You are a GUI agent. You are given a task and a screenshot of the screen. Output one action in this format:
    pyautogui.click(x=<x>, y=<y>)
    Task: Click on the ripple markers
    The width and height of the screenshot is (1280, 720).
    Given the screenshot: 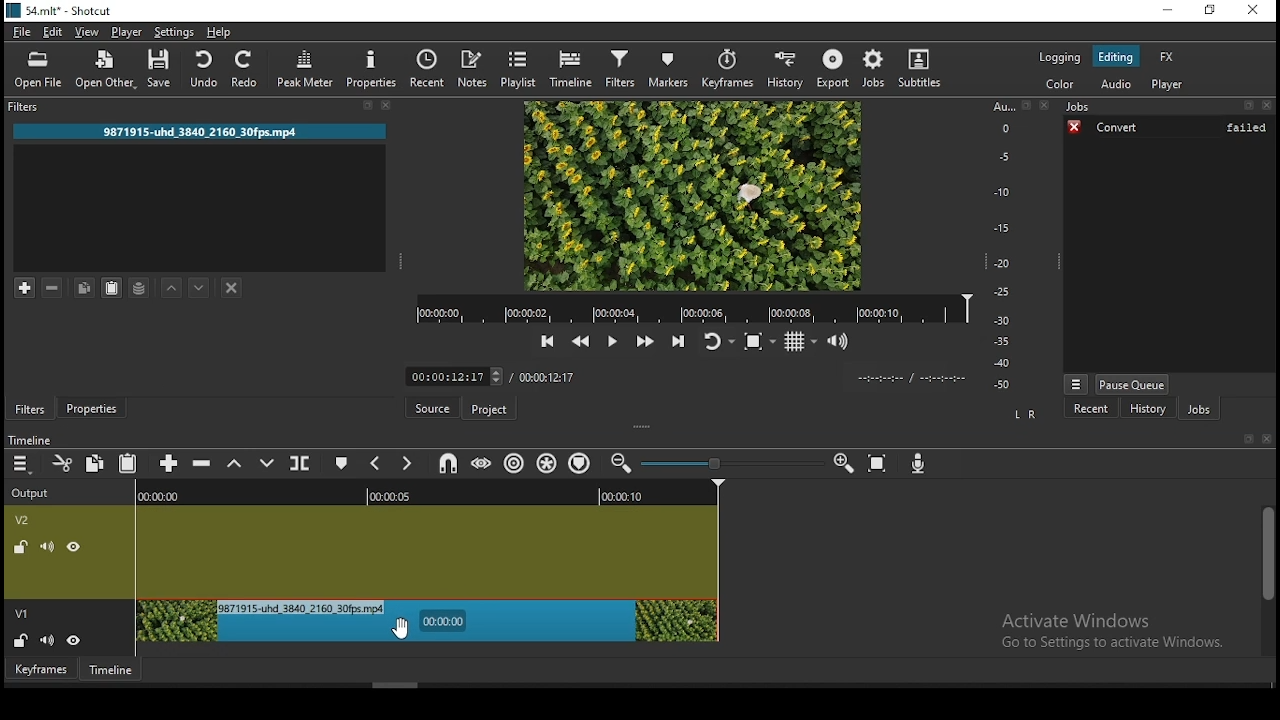 What is the action you would take?
    pyautogui.click(x=583, y=463)
    